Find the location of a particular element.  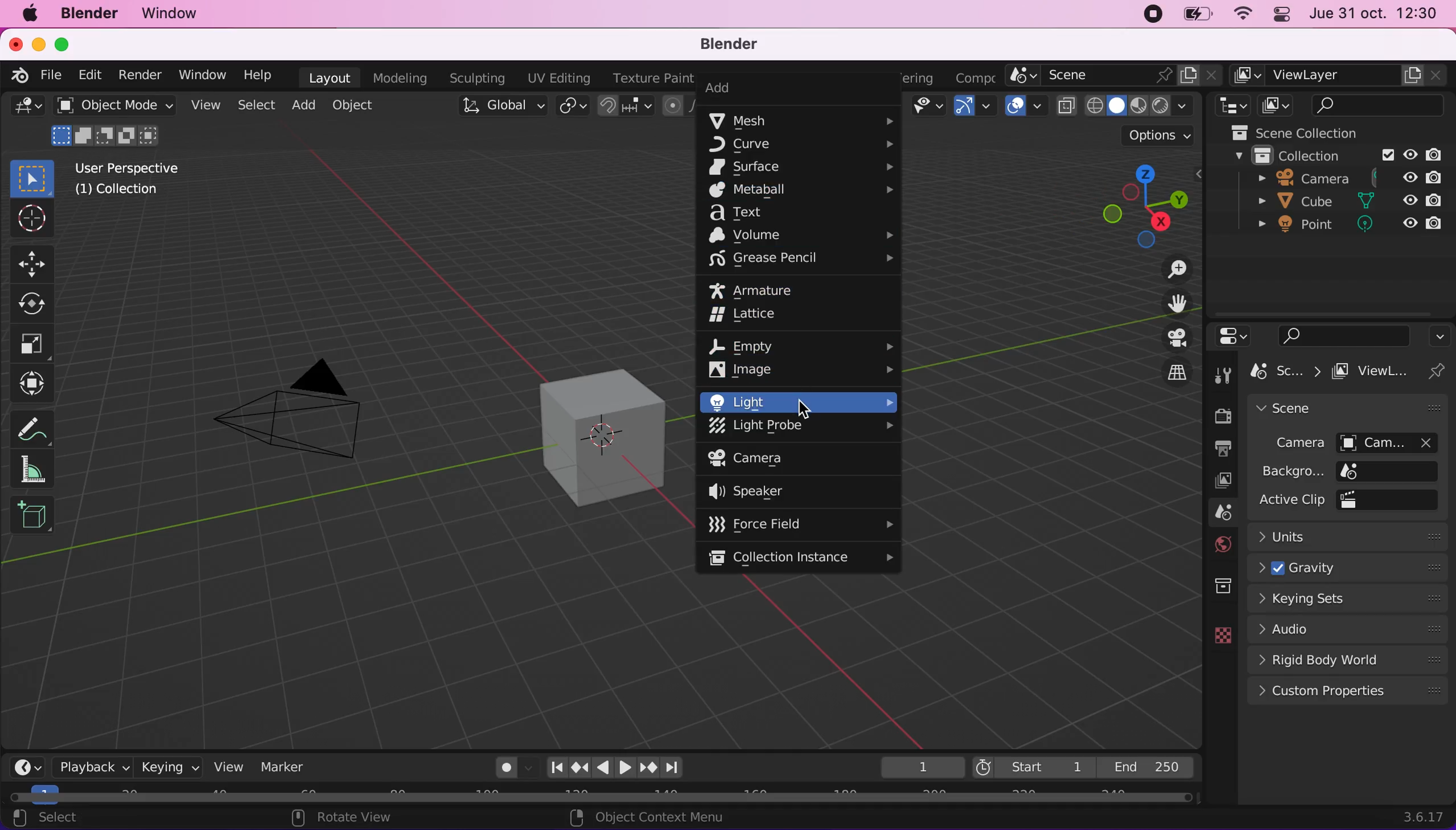

snapping is located at coordinates (625, 107).